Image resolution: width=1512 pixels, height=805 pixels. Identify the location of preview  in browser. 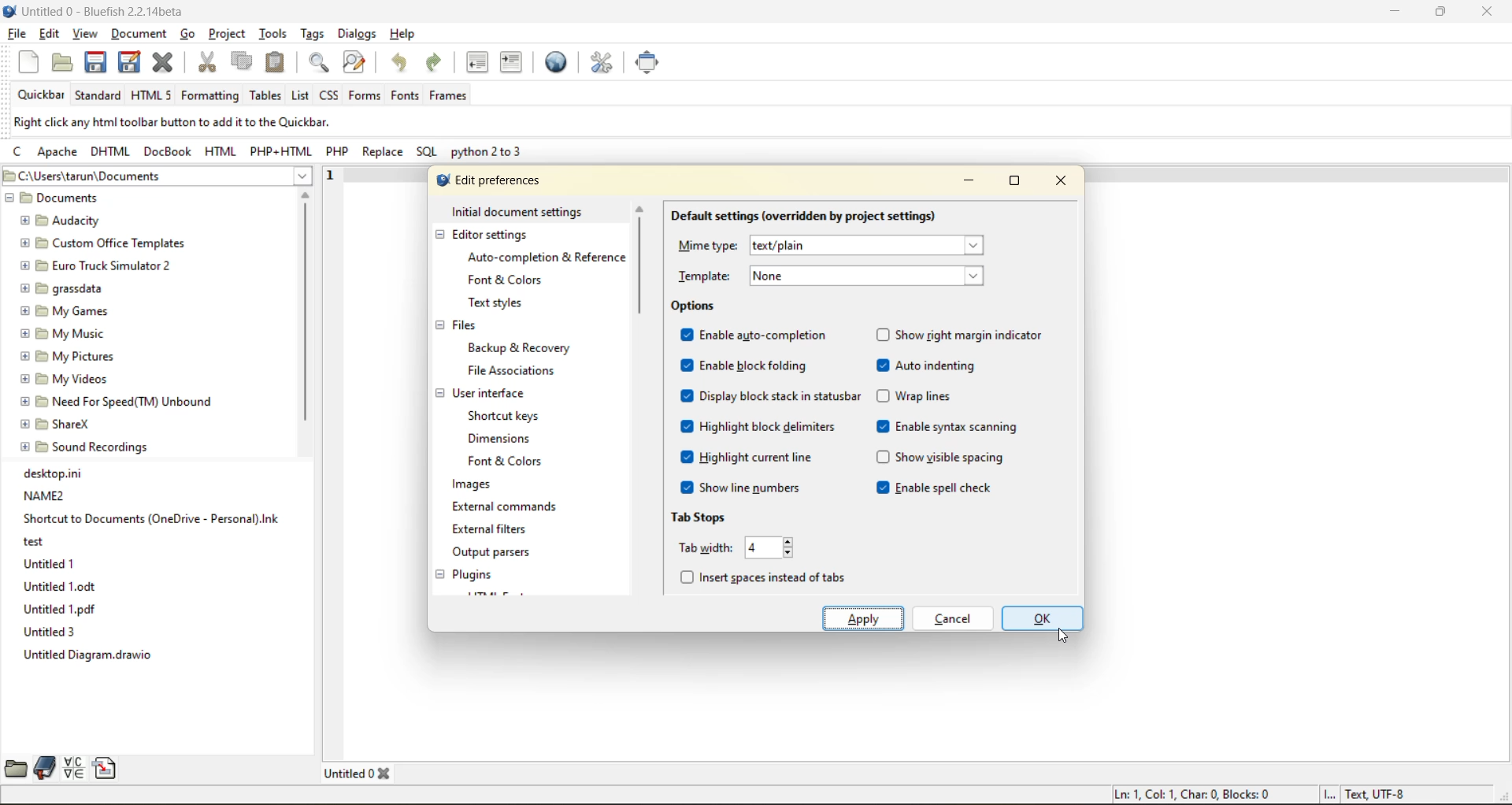
(561, 62).